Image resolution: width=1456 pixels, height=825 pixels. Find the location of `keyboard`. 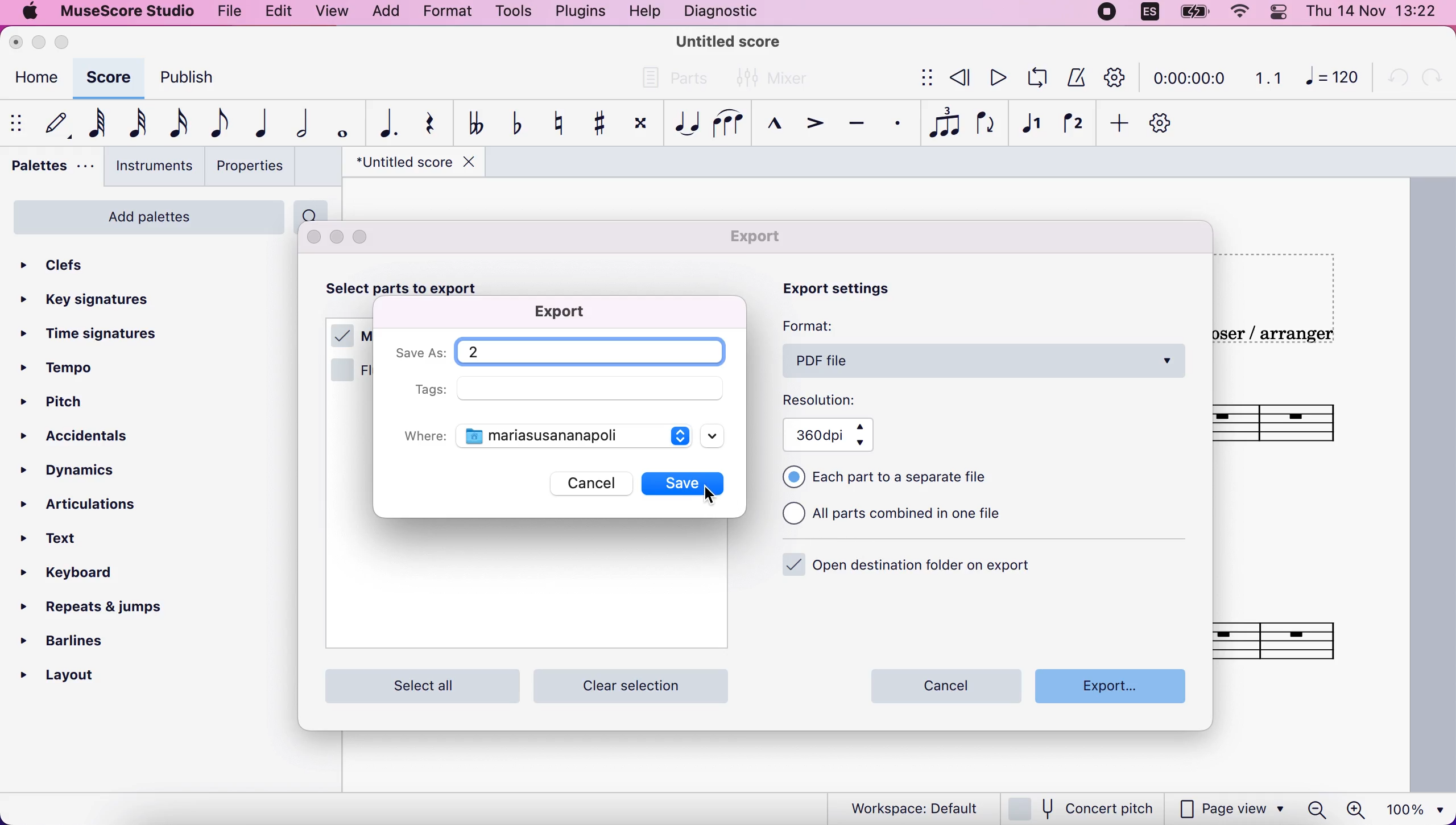

keyboard is located at coordinates (77, 577).